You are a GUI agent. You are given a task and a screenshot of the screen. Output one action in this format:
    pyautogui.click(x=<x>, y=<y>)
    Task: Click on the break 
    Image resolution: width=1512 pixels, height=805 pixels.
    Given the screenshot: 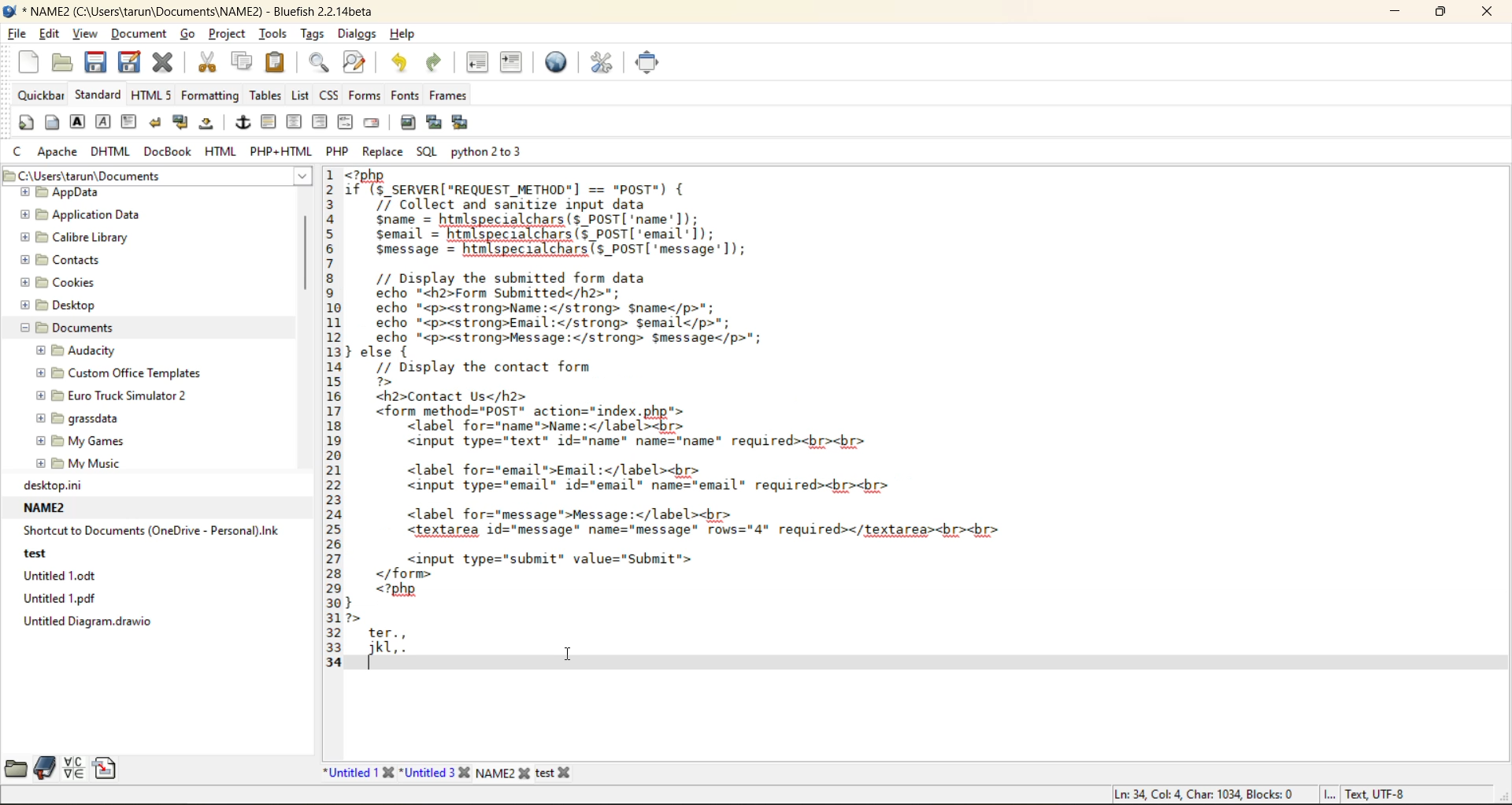 What is the action you would take?
    pyautogui.click(x=155, y=123)
    